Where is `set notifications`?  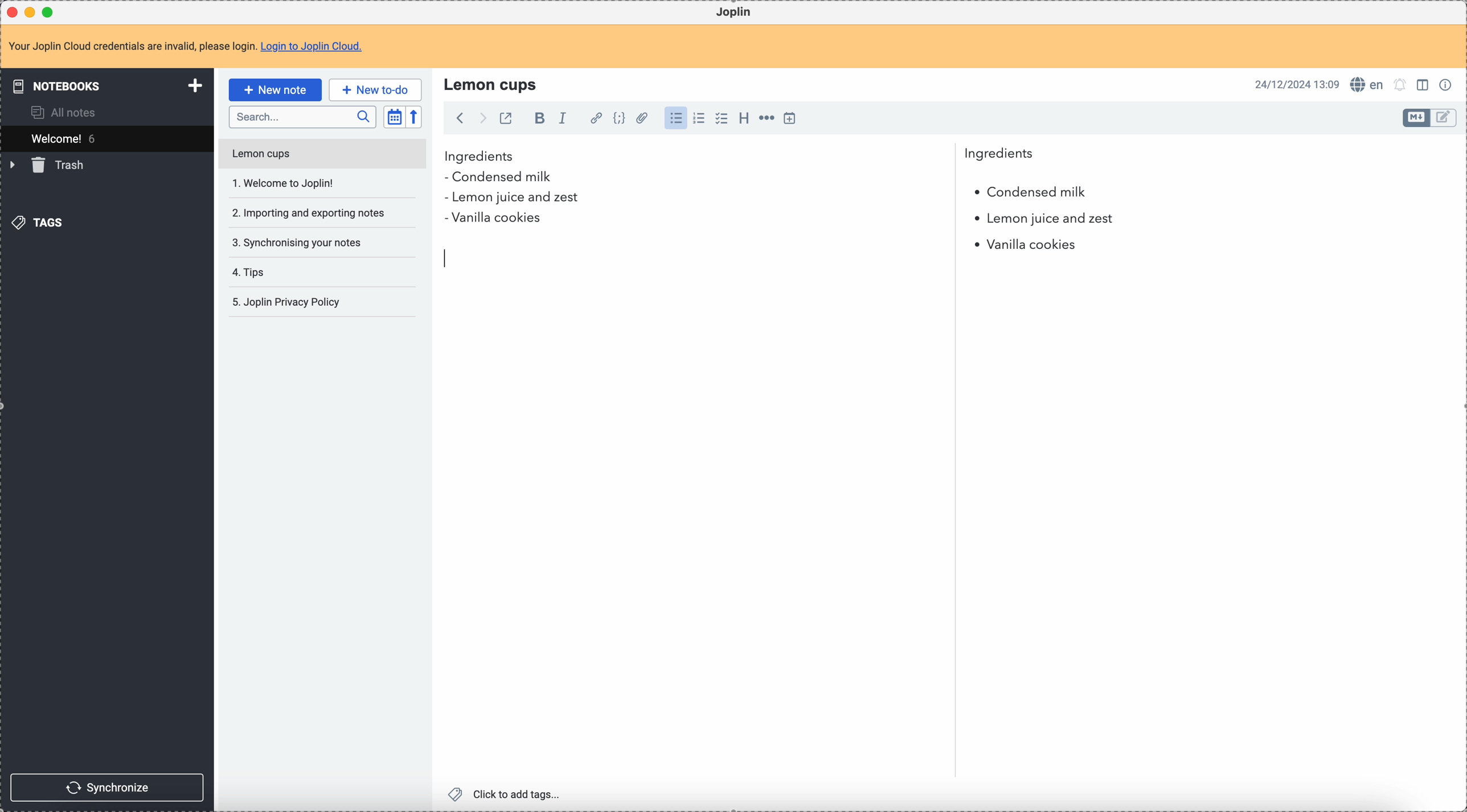
set notifications is located at coordinates (1400, 84).